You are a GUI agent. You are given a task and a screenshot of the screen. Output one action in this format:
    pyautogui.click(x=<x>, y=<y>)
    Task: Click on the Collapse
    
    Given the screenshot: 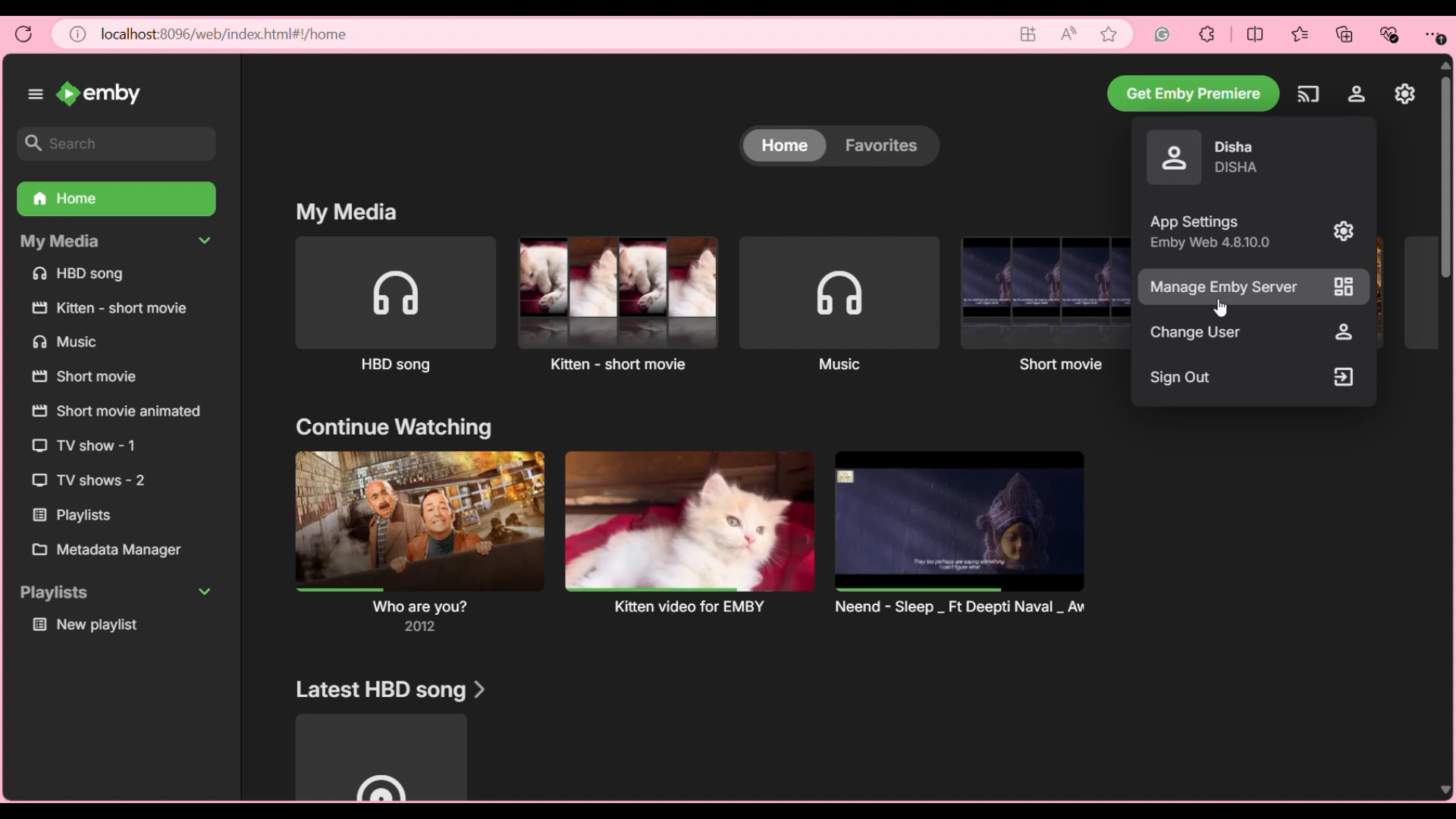 What is the action you would take?
    pyautogui.click(x=205, y=240)
    